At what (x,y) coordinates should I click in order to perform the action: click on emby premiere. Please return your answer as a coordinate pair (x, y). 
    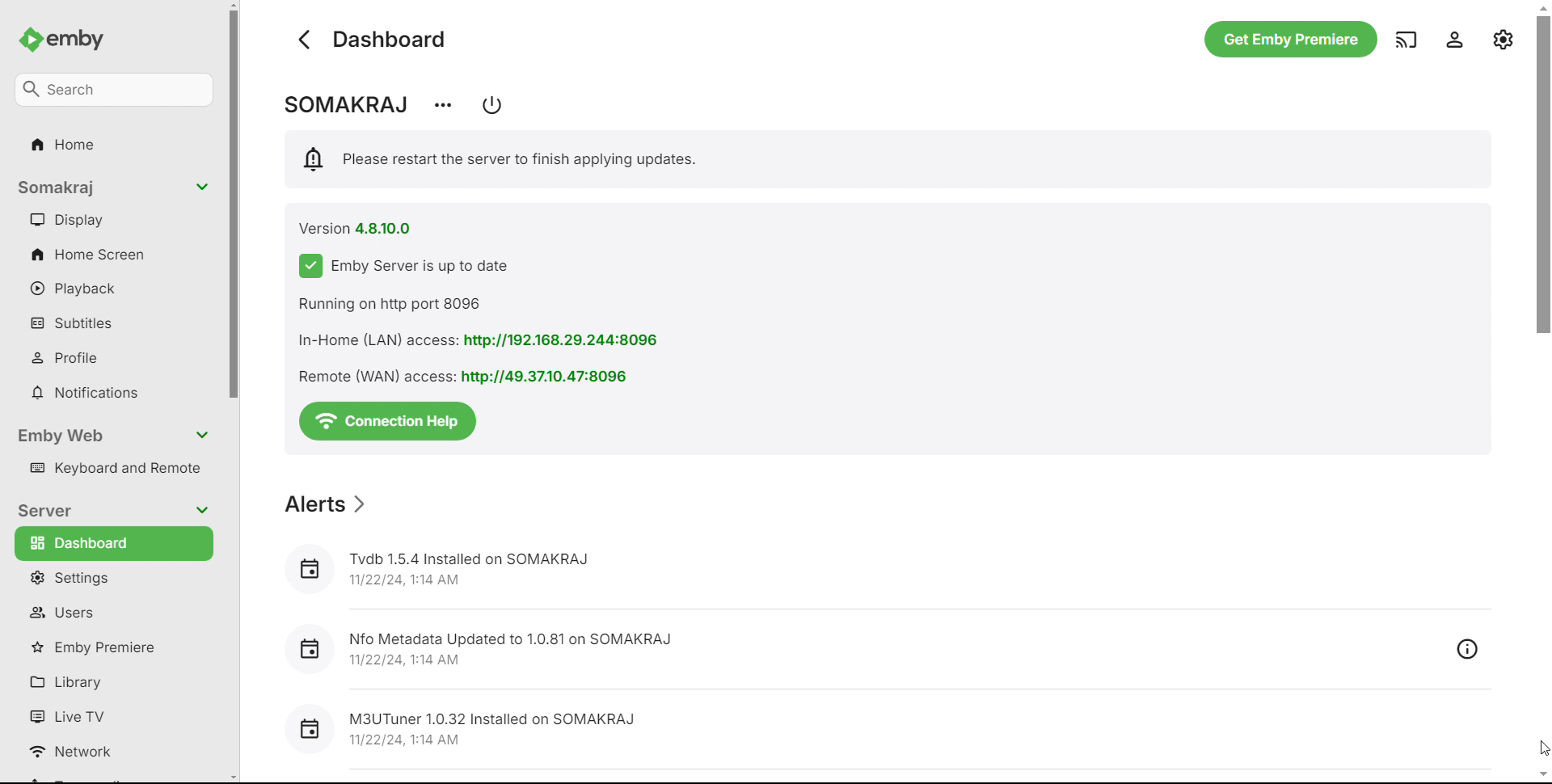
    Looking at the image, I should click on (110, 646).